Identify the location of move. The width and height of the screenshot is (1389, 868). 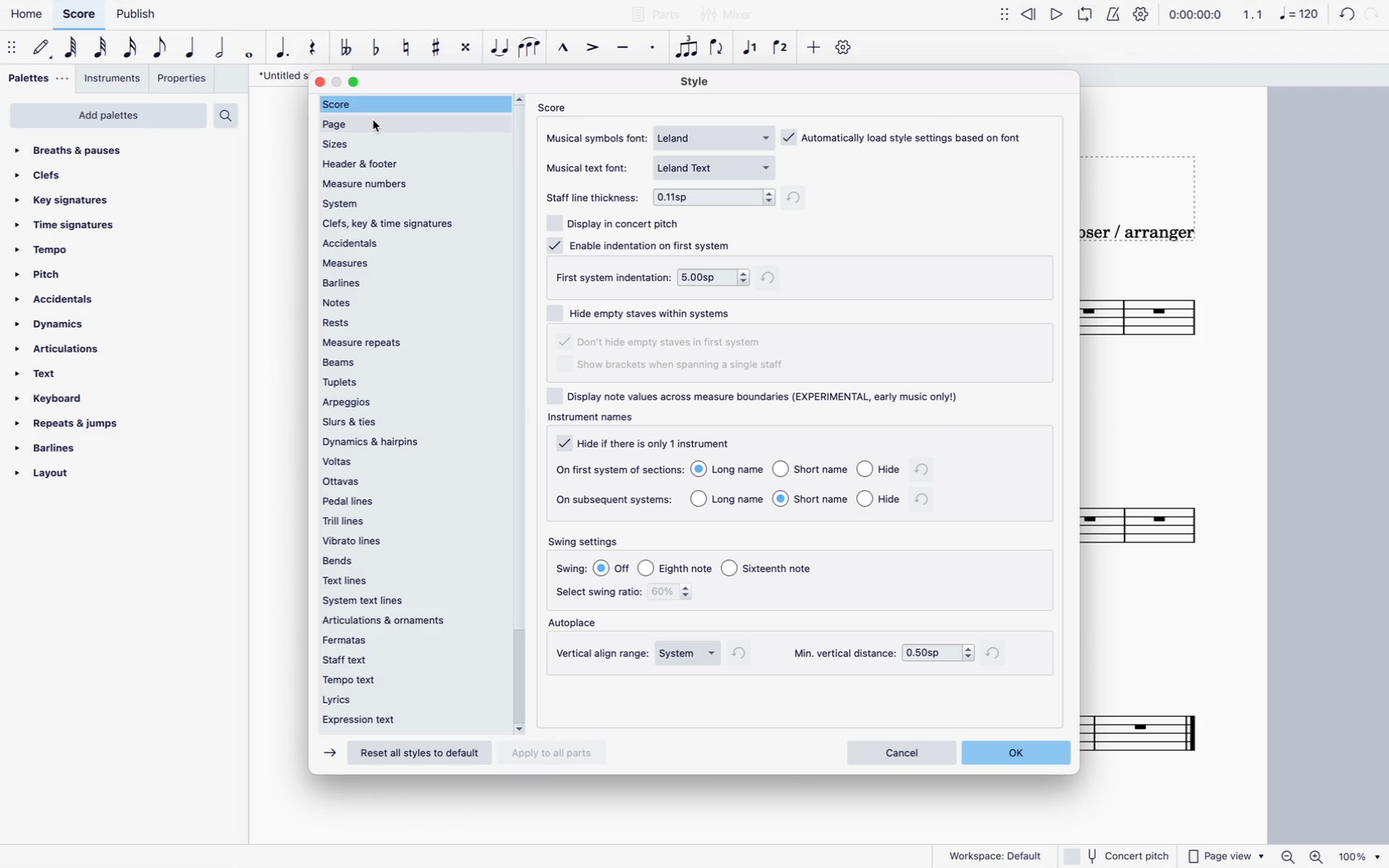
(12, 49).